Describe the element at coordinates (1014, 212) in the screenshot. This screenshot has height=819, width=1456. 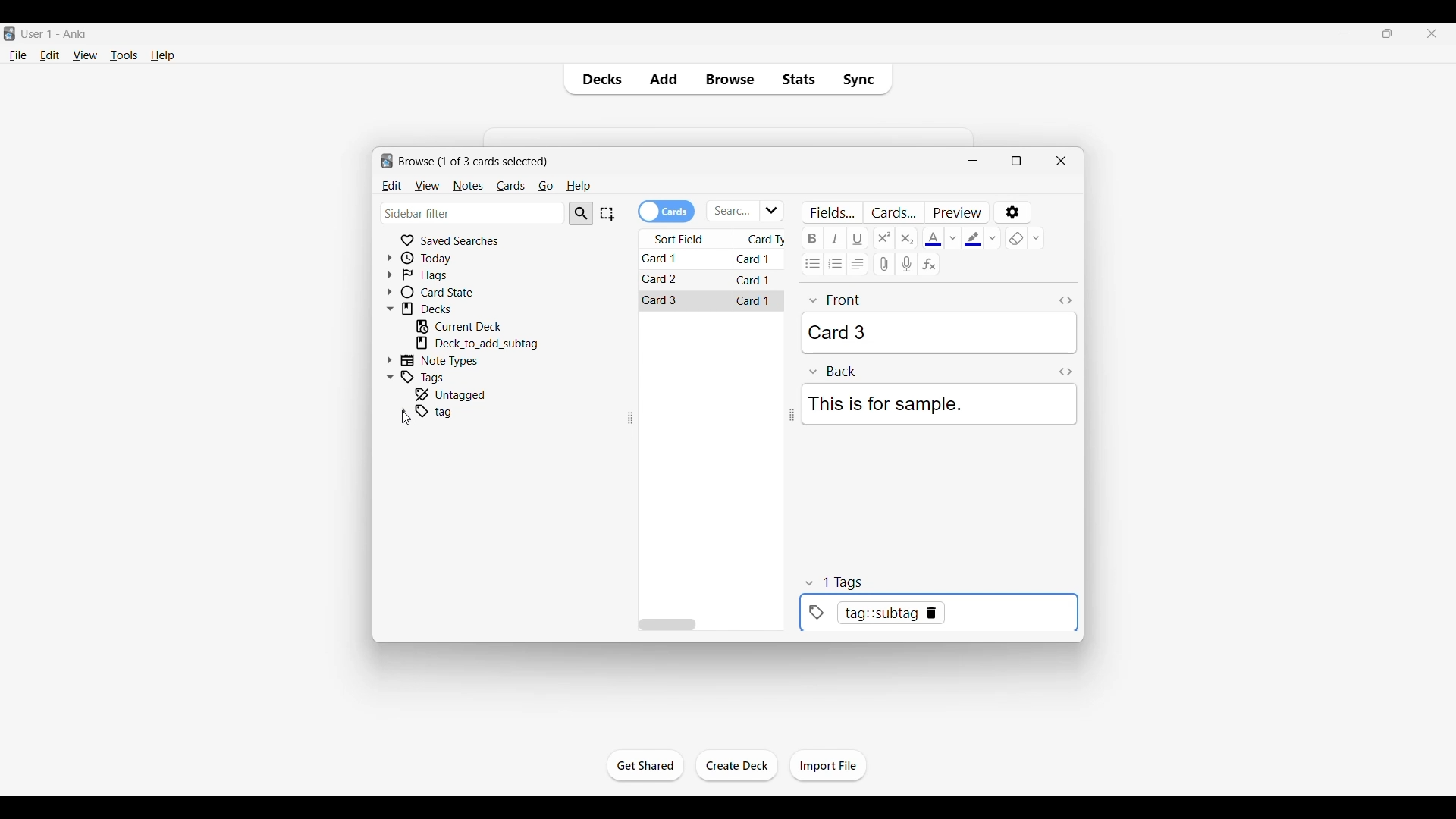
I see `Options` at that location.